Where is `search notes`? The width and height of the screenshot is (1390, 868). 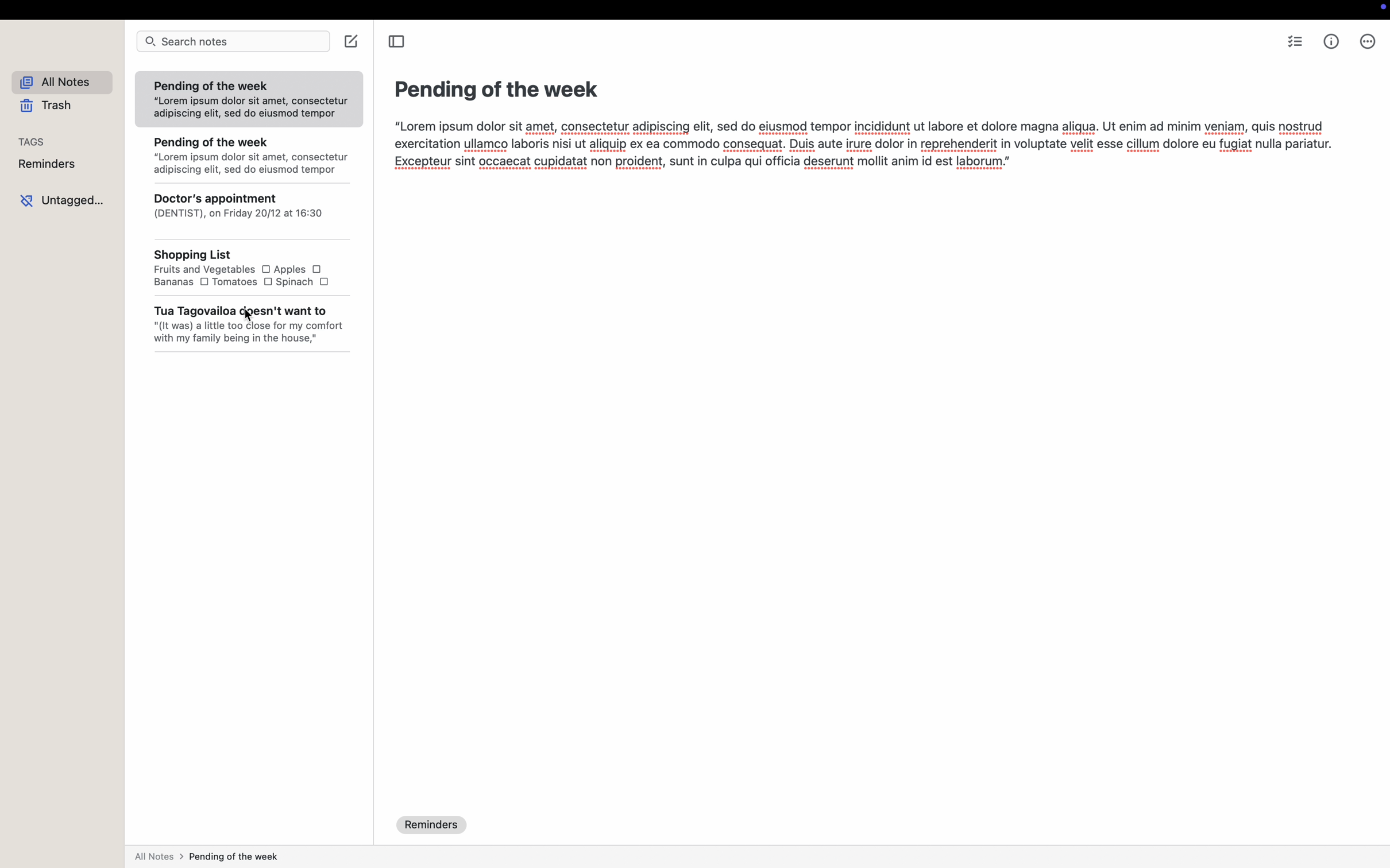
search notes is located at coordinates (234, 41).